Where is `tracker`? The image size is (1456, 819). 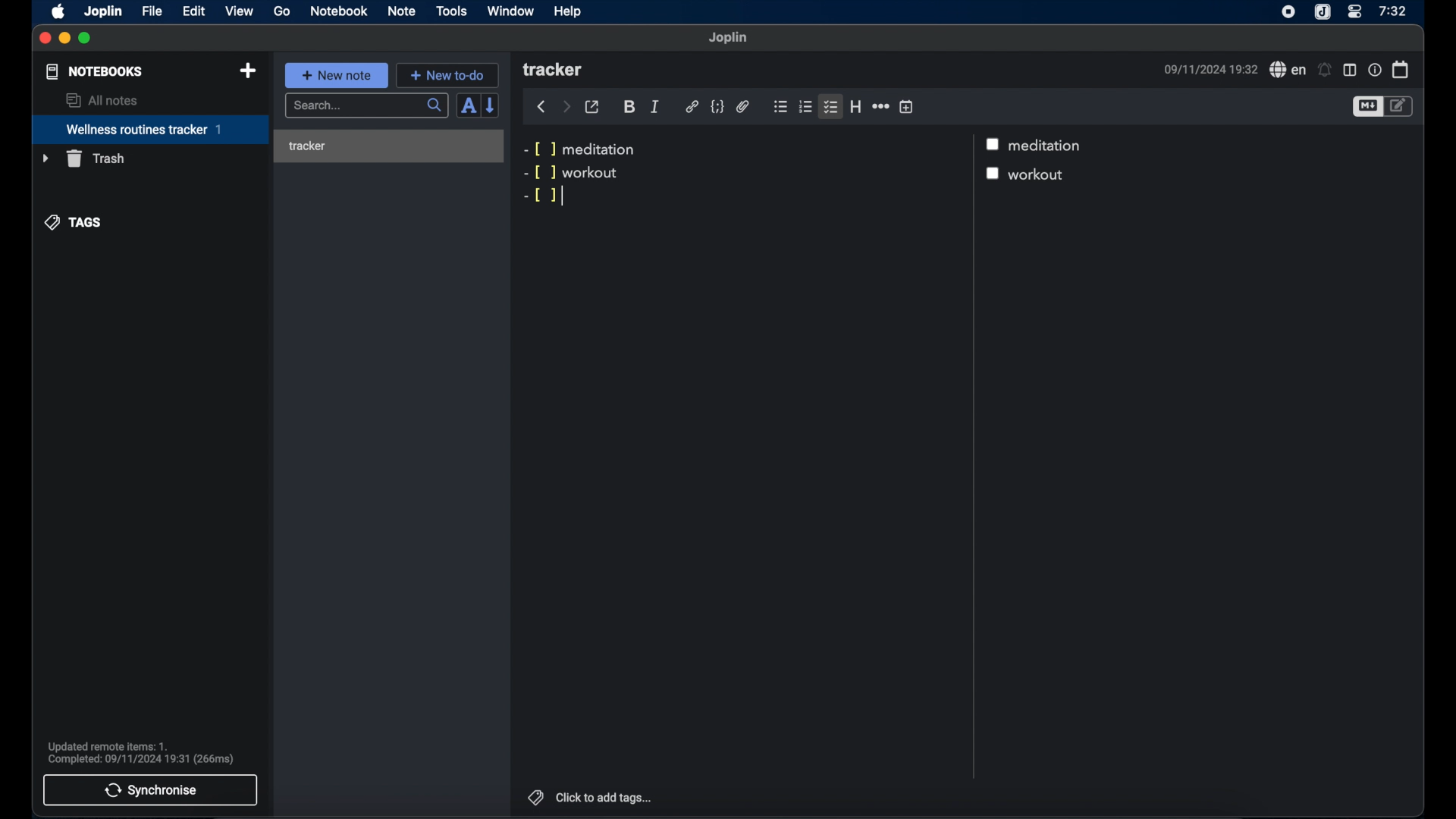
tracker is located at coordinates (554, 71).